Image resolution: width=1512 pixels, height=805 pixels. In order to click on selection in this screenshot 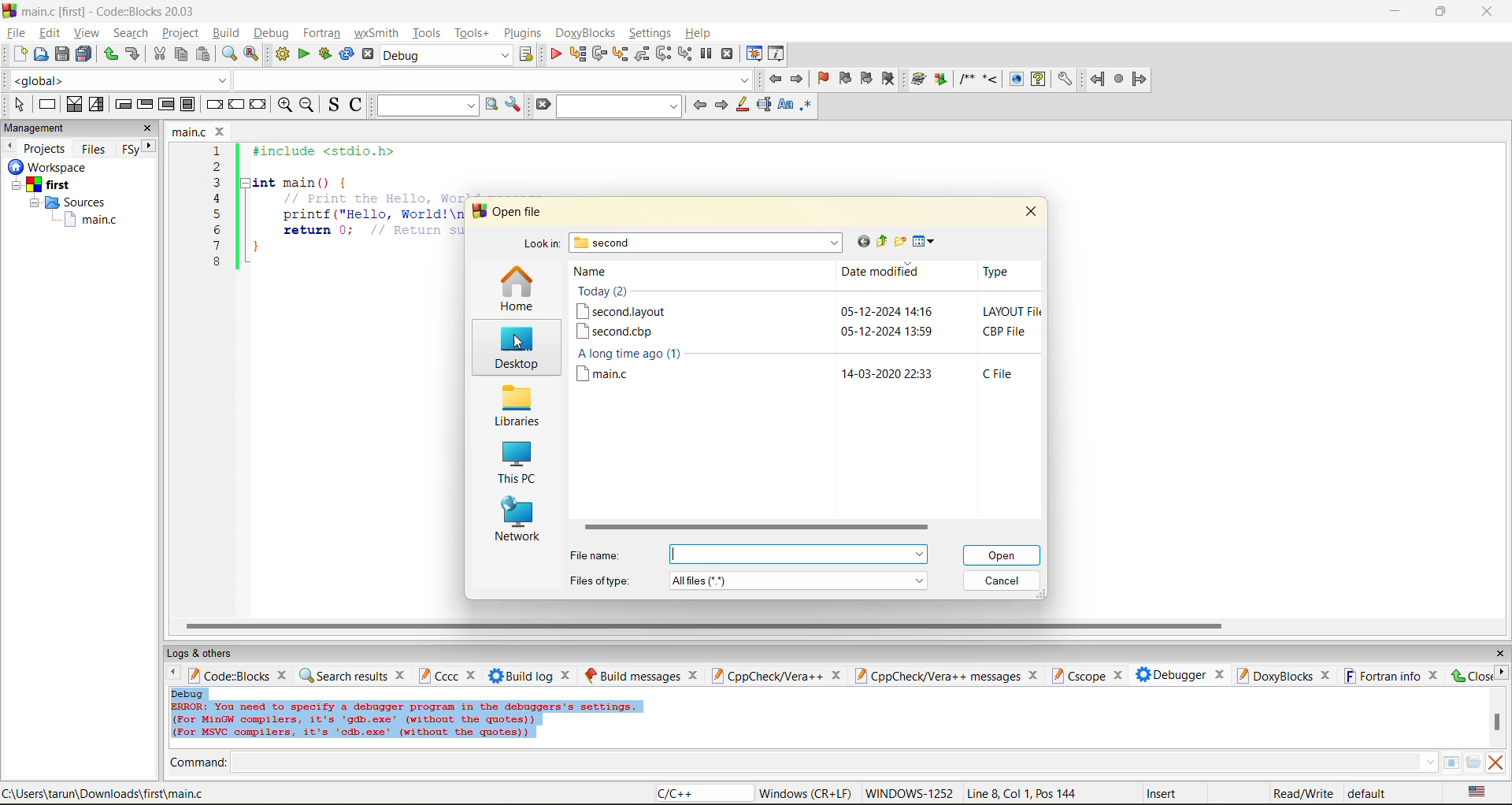, I will do `click(97, 105)`.